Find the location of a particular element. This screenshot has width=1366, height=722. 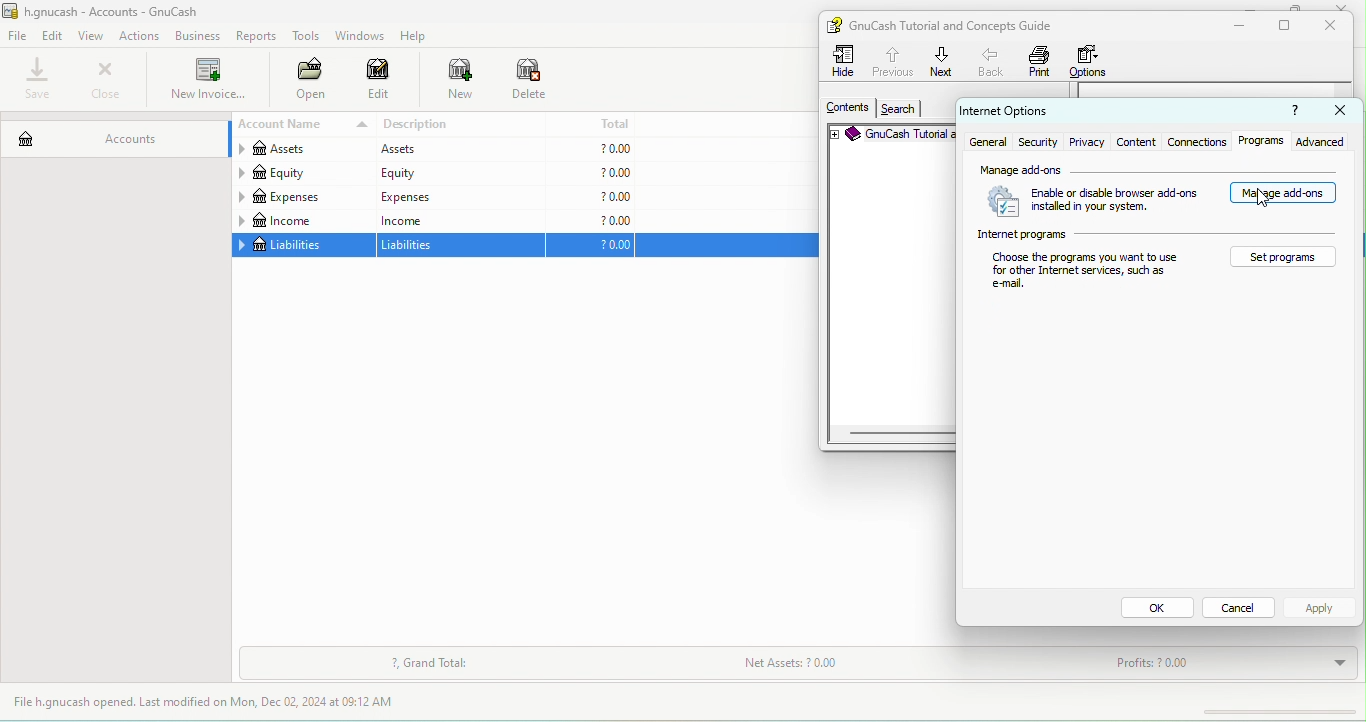

manage add ons is located at coordinates (1161, 168).